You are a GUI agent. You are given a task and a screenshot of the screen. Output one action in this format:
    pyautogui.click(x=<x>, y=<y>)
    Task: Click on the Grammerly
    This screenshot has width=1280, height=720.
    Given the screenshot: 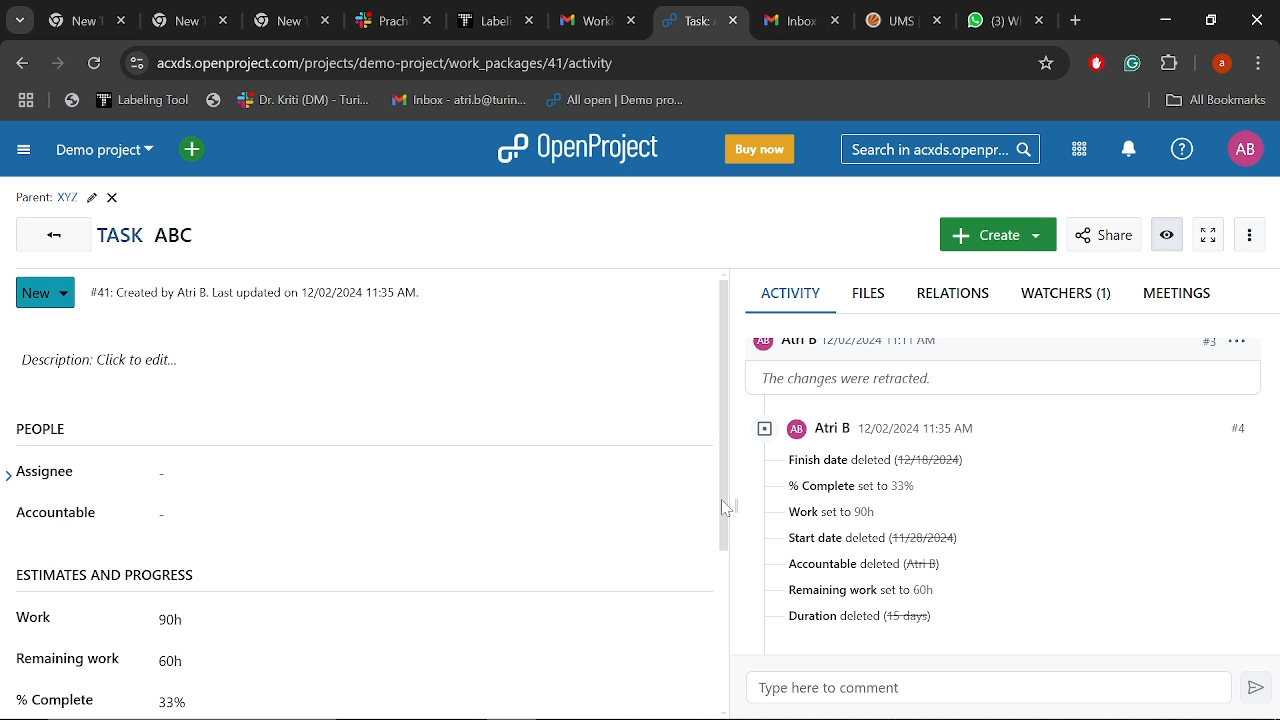 What is the action you would take?
    pyautogui.click(x=1132, y=64)
    